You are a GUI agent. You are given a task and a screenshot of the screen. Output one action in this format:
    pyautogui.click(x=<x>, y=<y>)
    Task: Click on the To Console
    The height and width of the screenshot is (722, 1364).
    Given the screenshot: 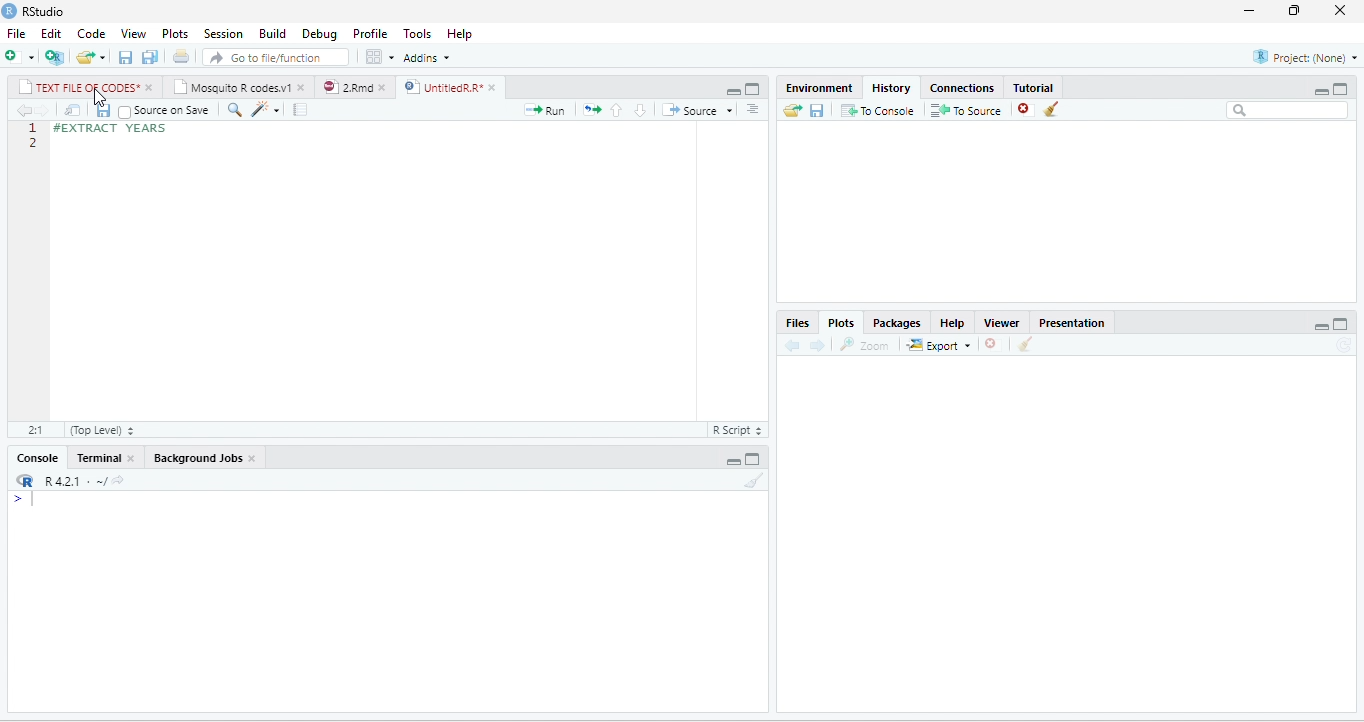 What is the action you would take?
    pyautogui.click(x=877, y=110)
    